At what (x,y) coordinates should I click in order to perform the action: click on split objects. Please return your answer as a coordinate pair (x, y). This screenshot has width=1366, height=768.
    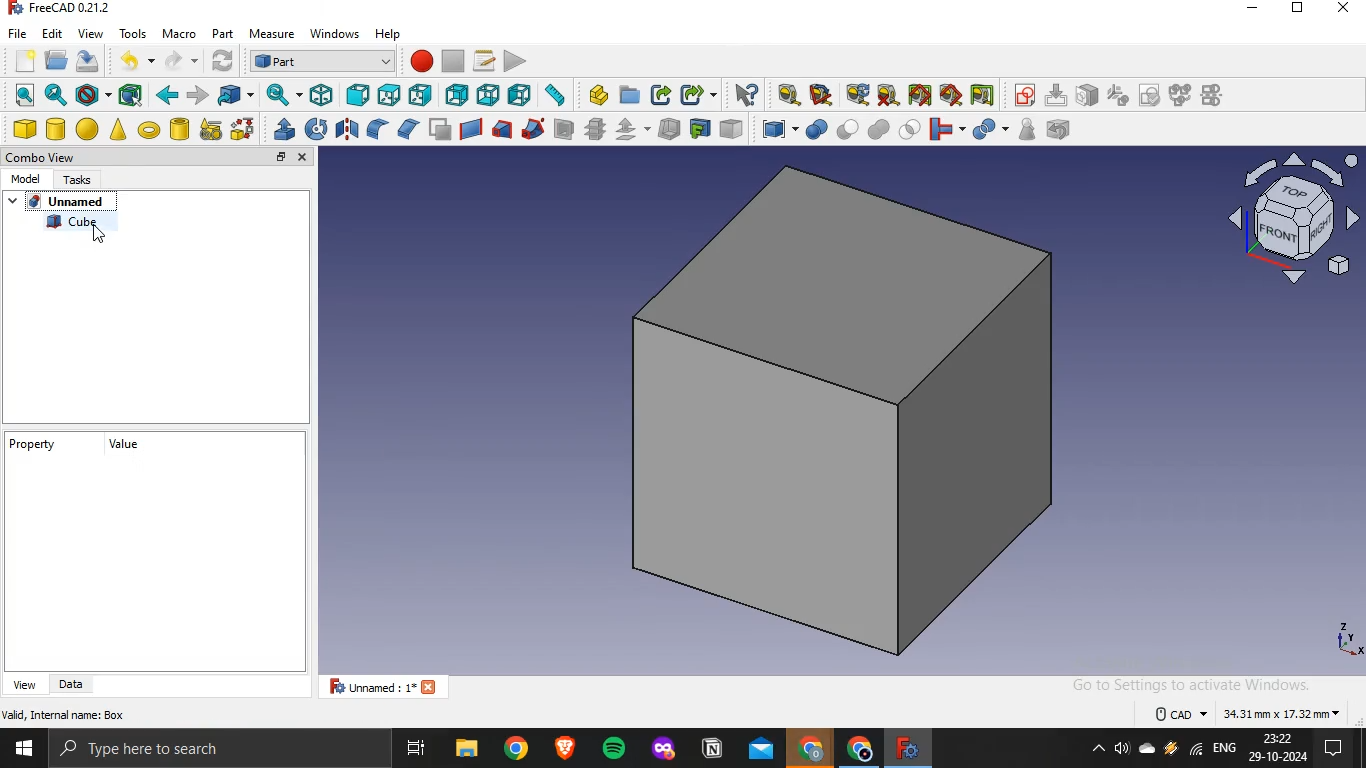
    Looking at the image, I should click on (987, 130).